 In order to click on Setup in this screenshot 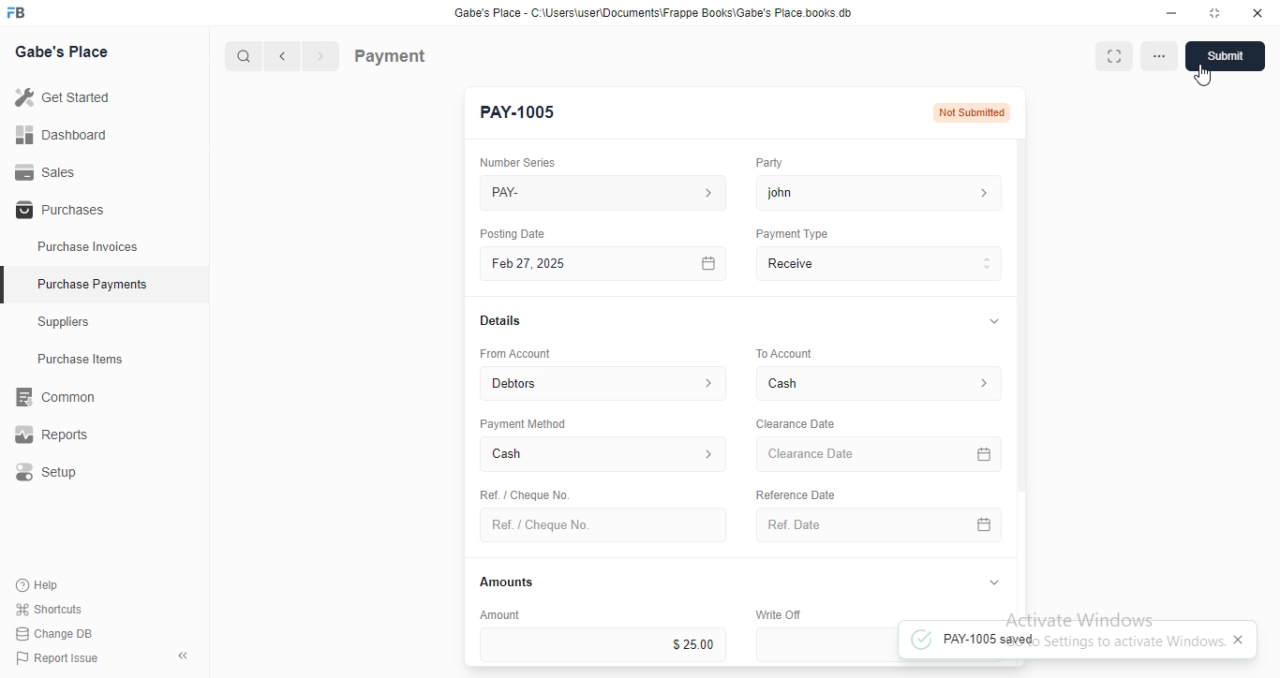, I will do `click(61, 473)`.